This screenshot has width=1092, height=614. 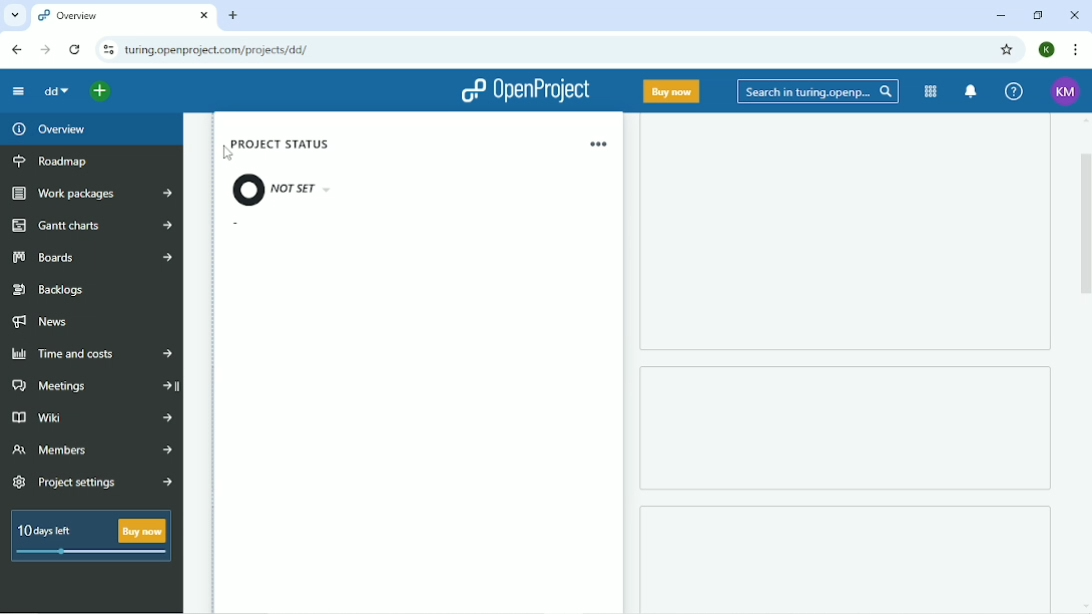 I want to click on Account, so click(x=1066, y=91).